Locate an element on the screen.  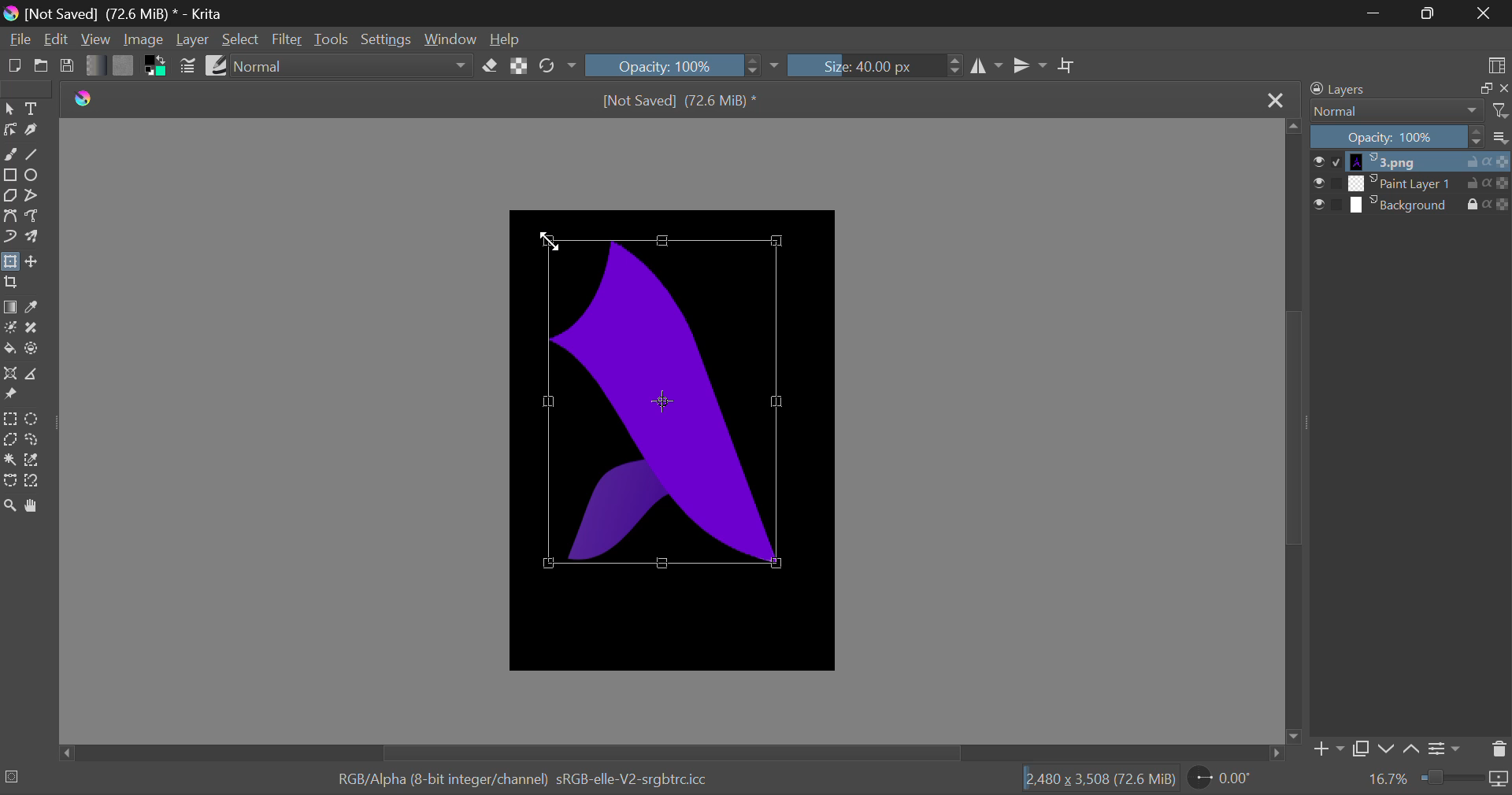
Lock Alpha is located at coordinates (519, 67).